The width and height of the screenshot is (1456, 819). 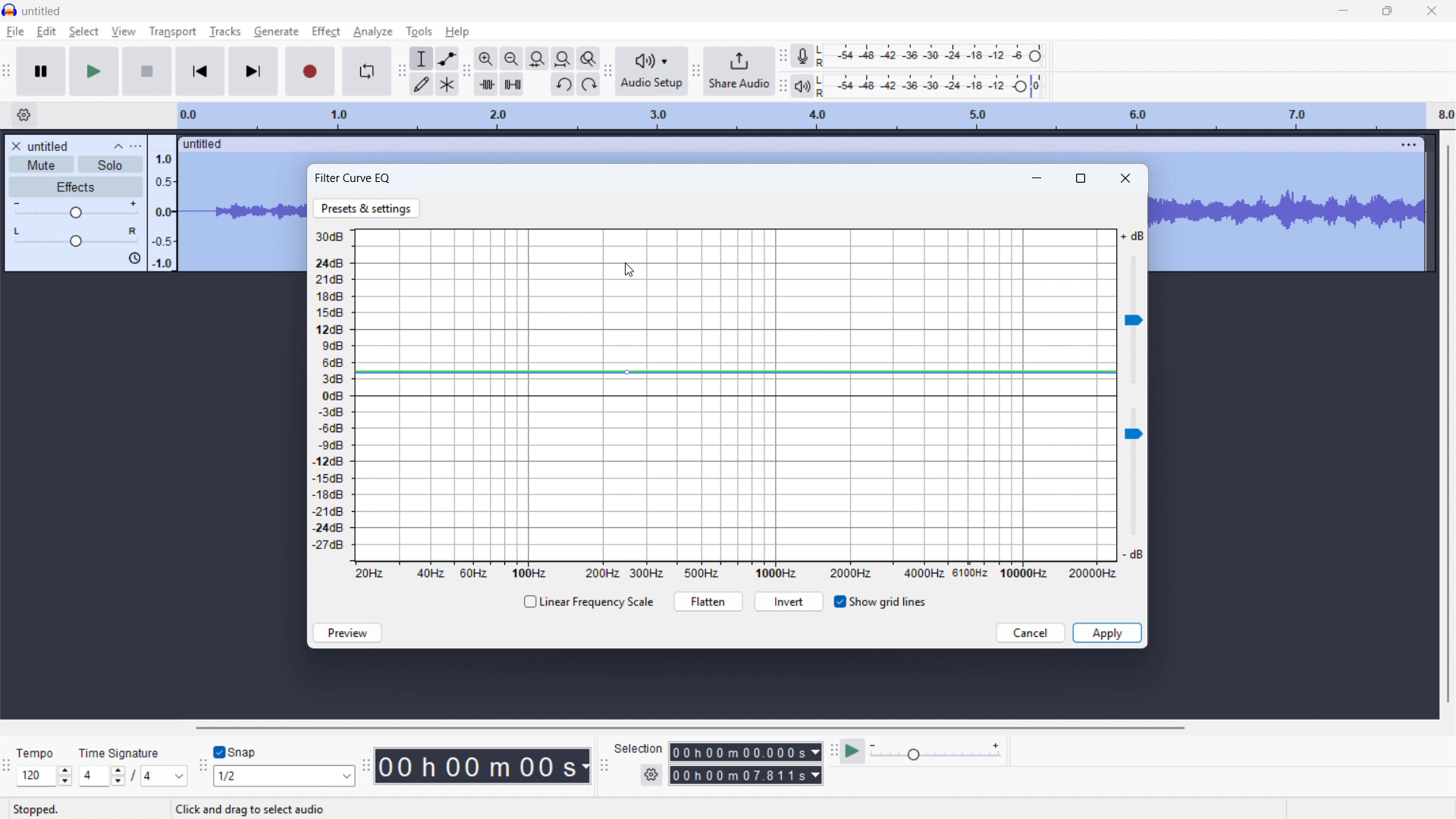 What do you see at coordinates (736, 395) in the screenshot?
I see `equaliser curve ` at bounding box center [736, 395].